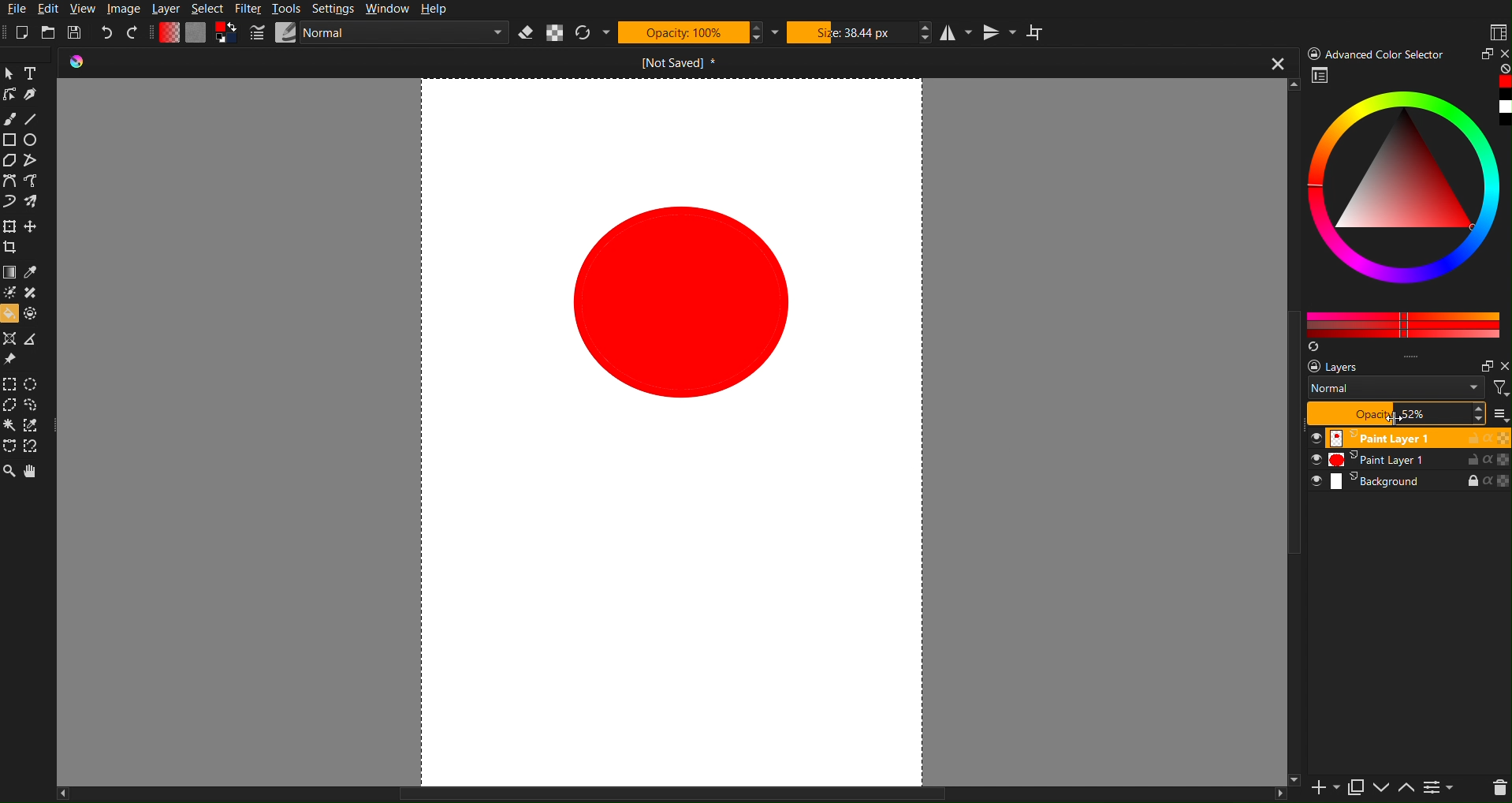  I want to click on Close , so click(1503, 368).